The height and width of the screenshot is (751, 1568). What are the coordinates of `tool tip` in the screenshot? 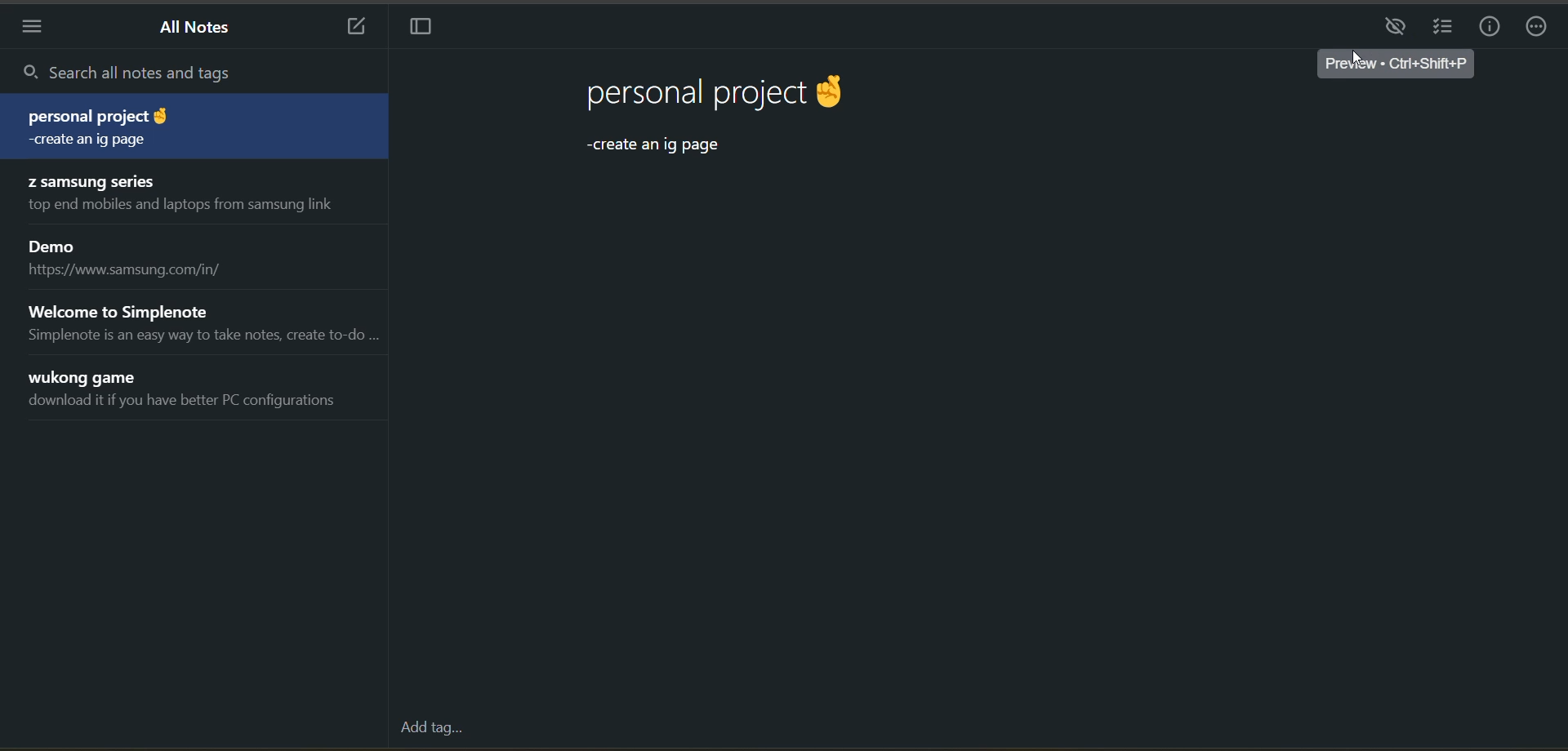 It's located at (1401, 66).